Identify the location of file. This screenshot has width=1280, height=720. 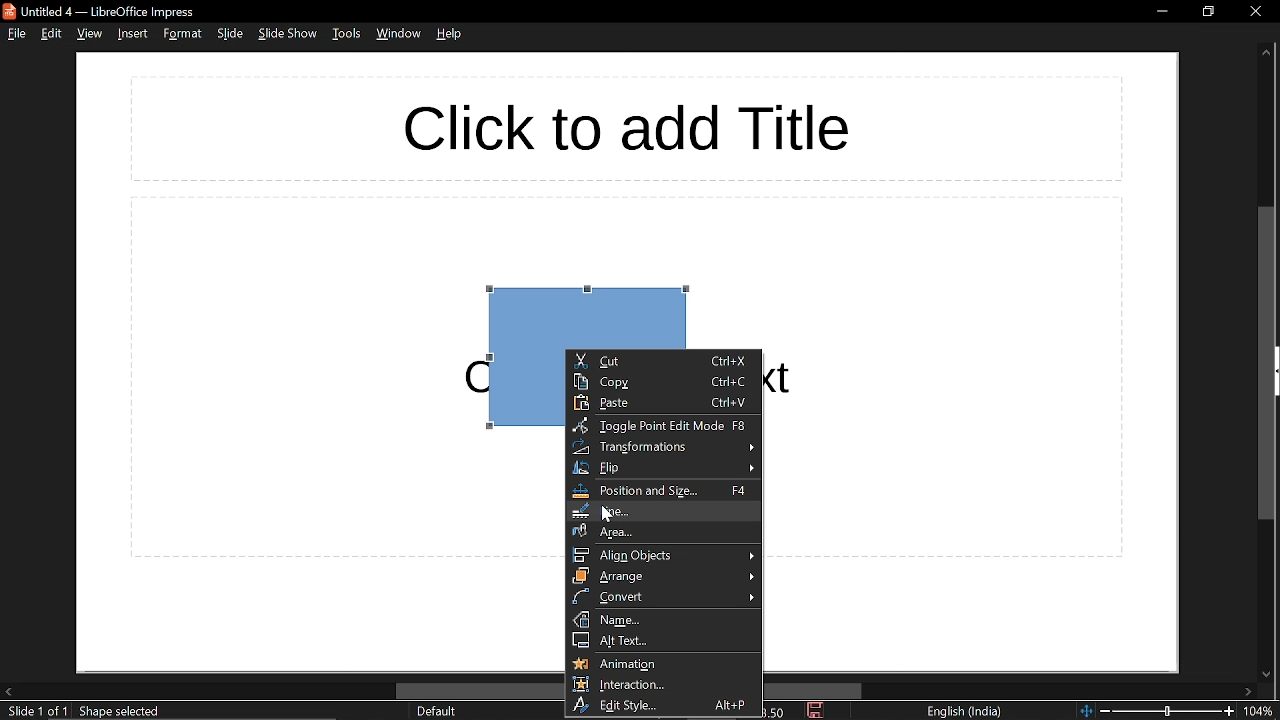
(18, 35).